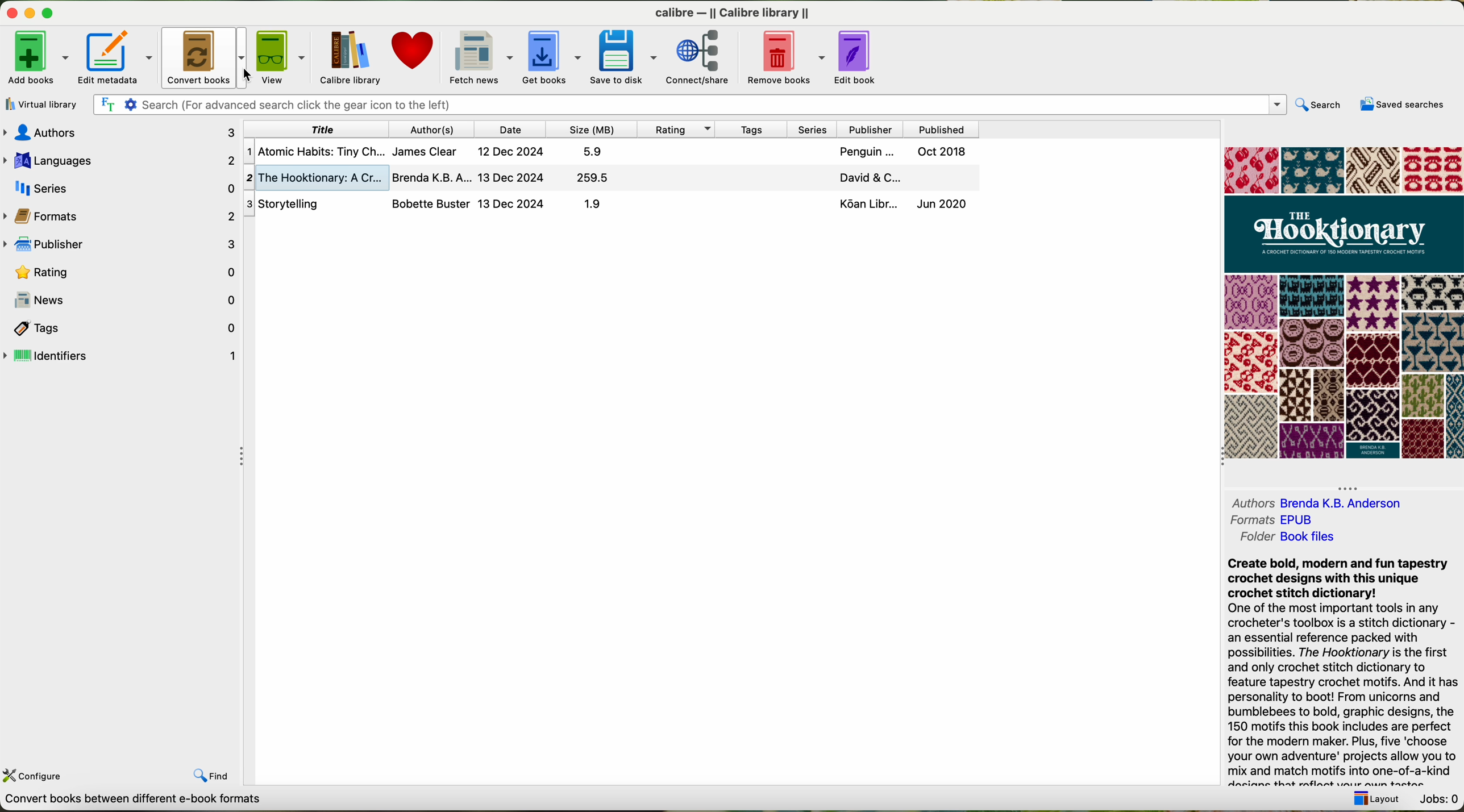 Image resolution: width=1464 pixels, height=812 pixels. What do you see at coordinates (704, 58) in the screenshot?
I see `connect share` at bounding box center [704, 58].